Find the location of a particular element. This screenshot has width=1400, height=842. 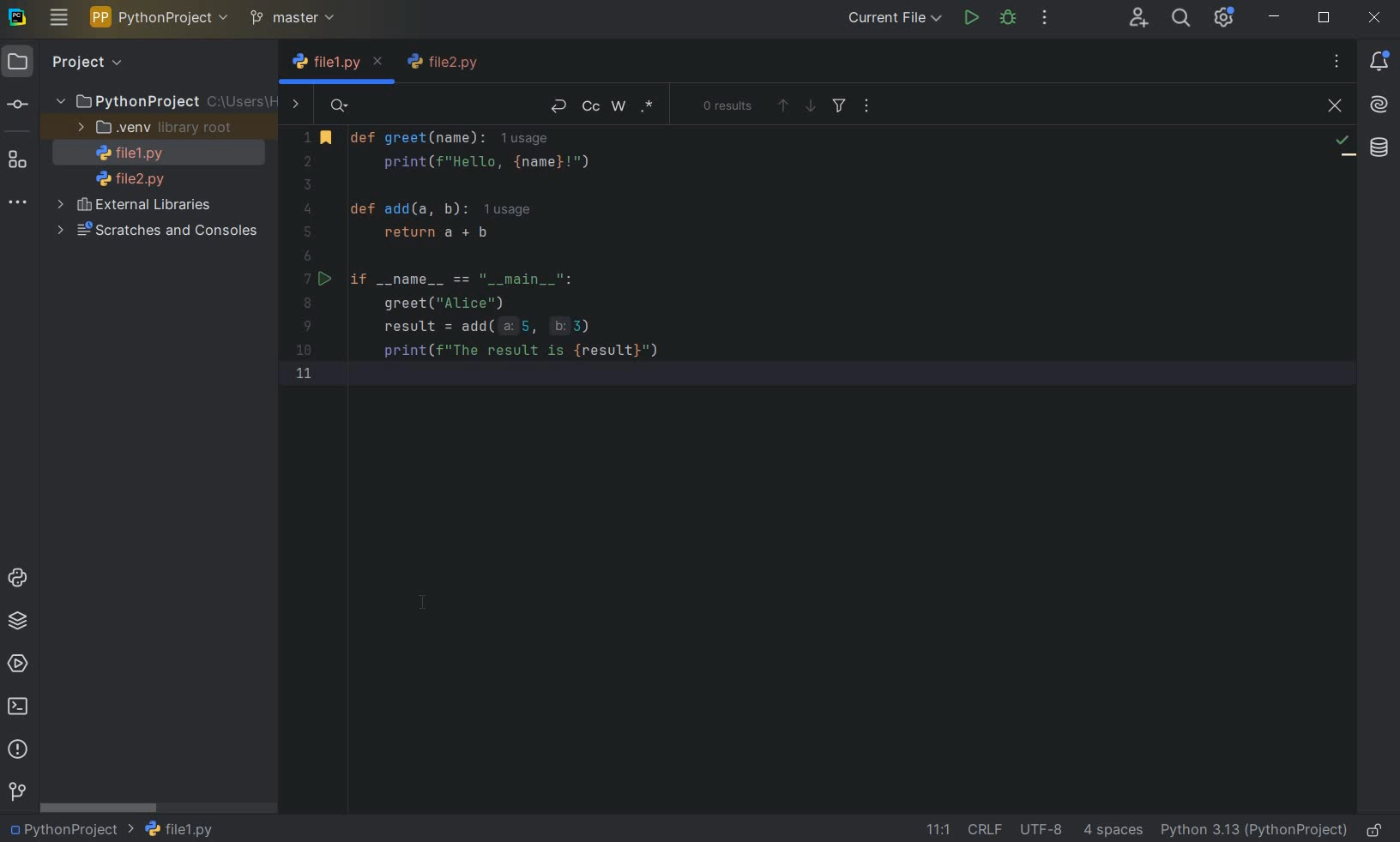

RUN is located at coordinates (970, 17).